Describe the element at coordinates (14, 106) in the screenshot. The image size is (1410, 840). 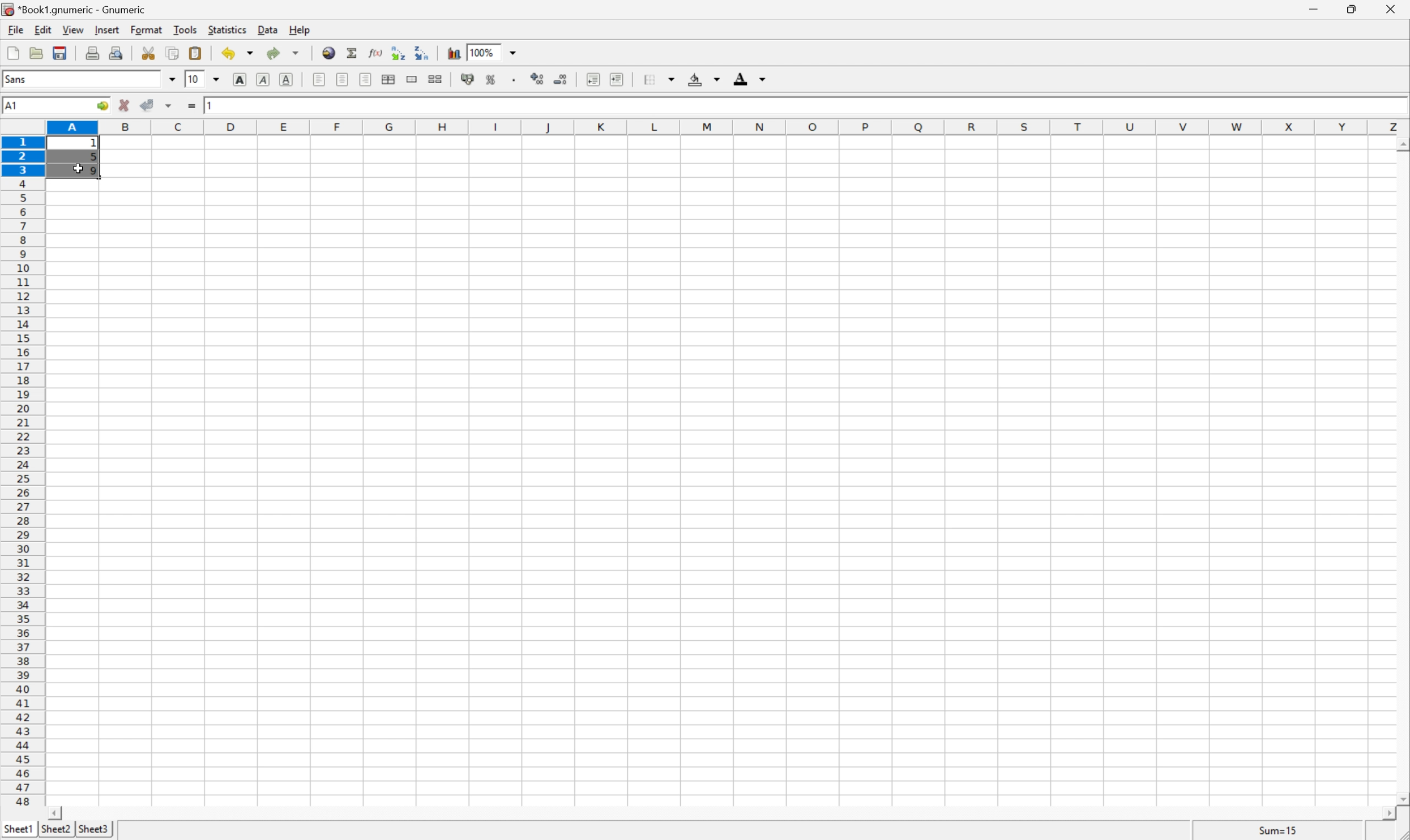
I see `A1` at that location.